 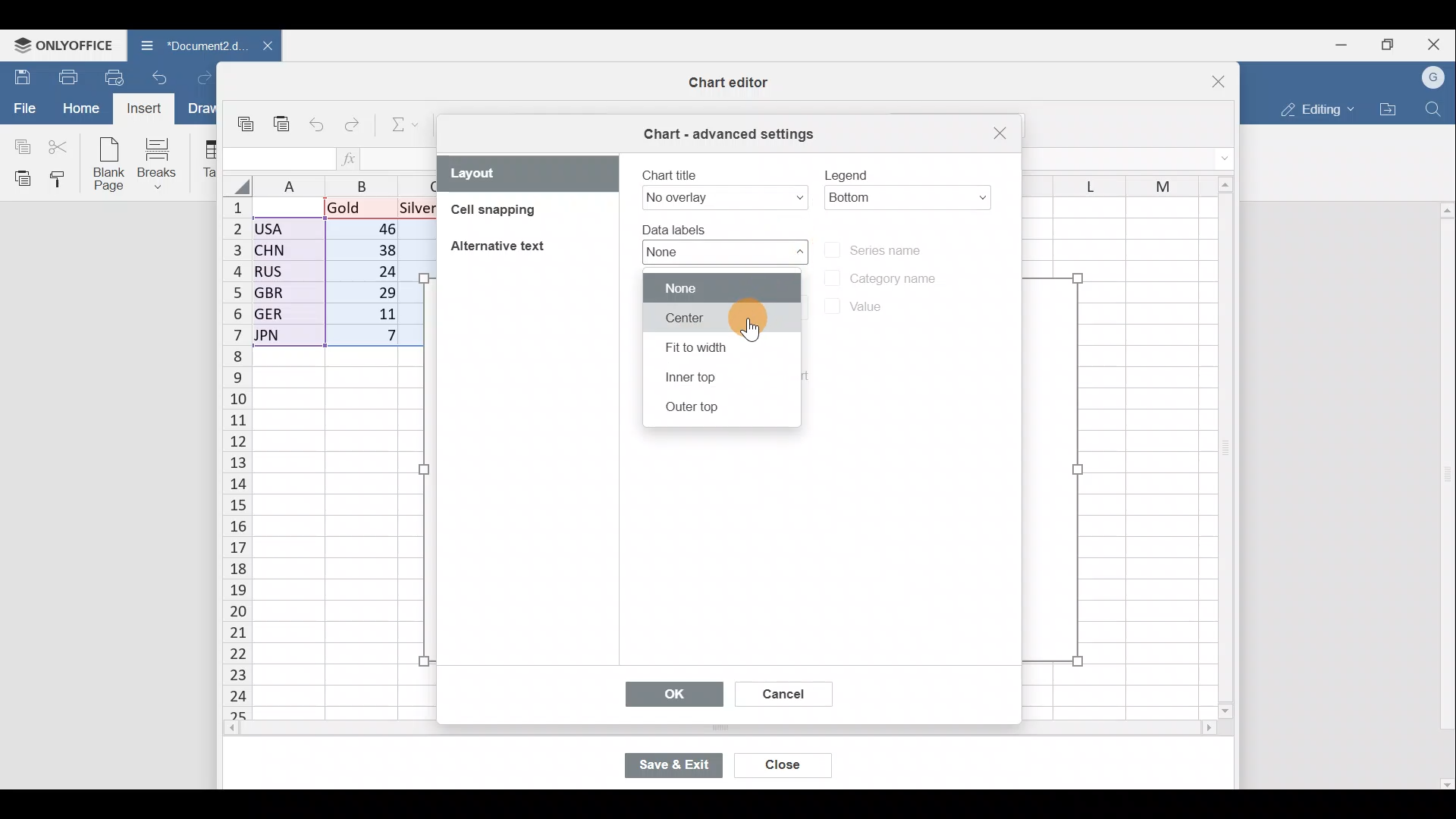 What do you see at coordinates (19, 177) in the screenshot?
I see `Paste` at bounding box center [19, 177].